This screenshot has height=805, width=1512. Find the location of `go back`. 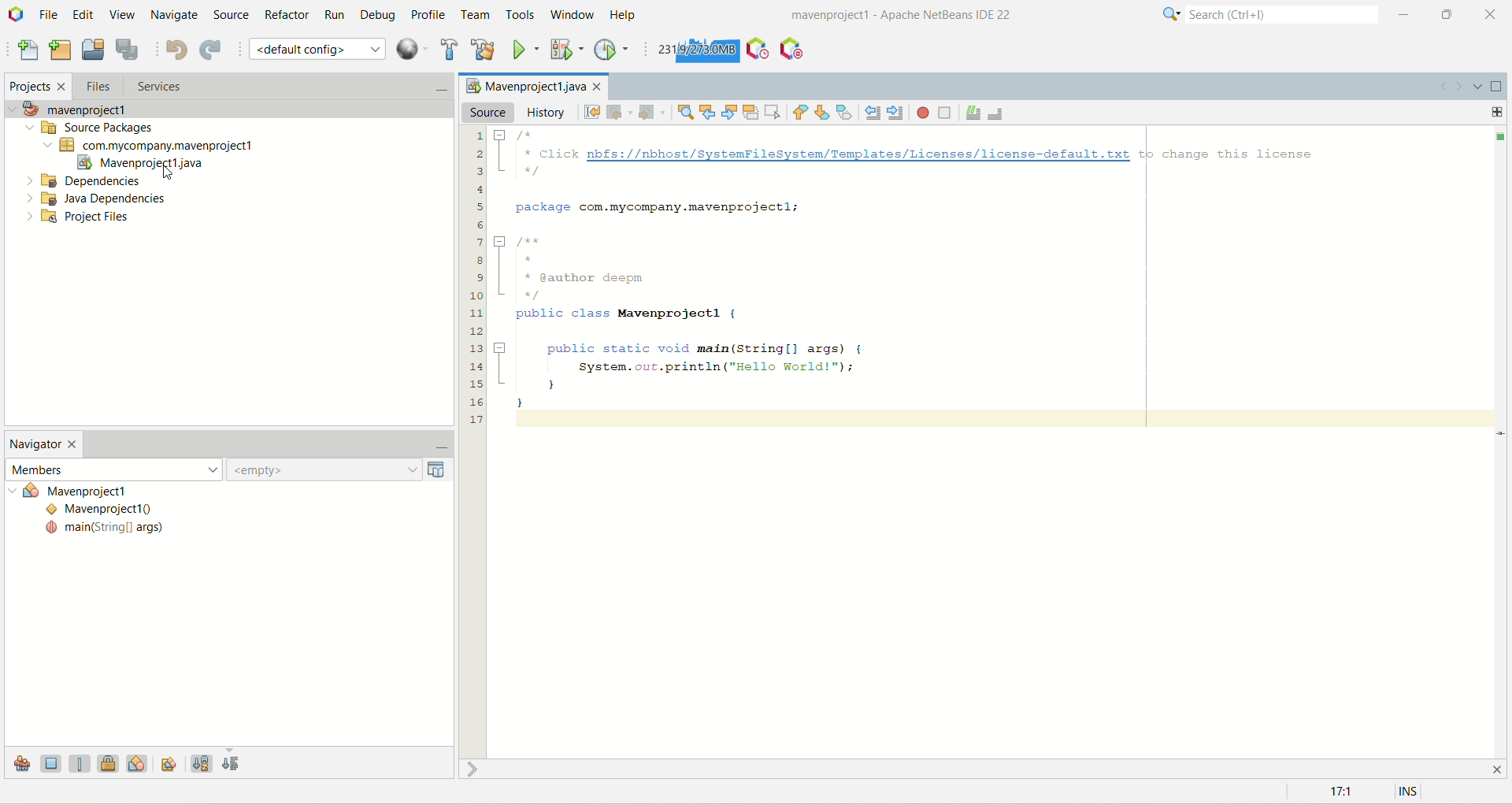

go back is located at coordinates (1442, 87).